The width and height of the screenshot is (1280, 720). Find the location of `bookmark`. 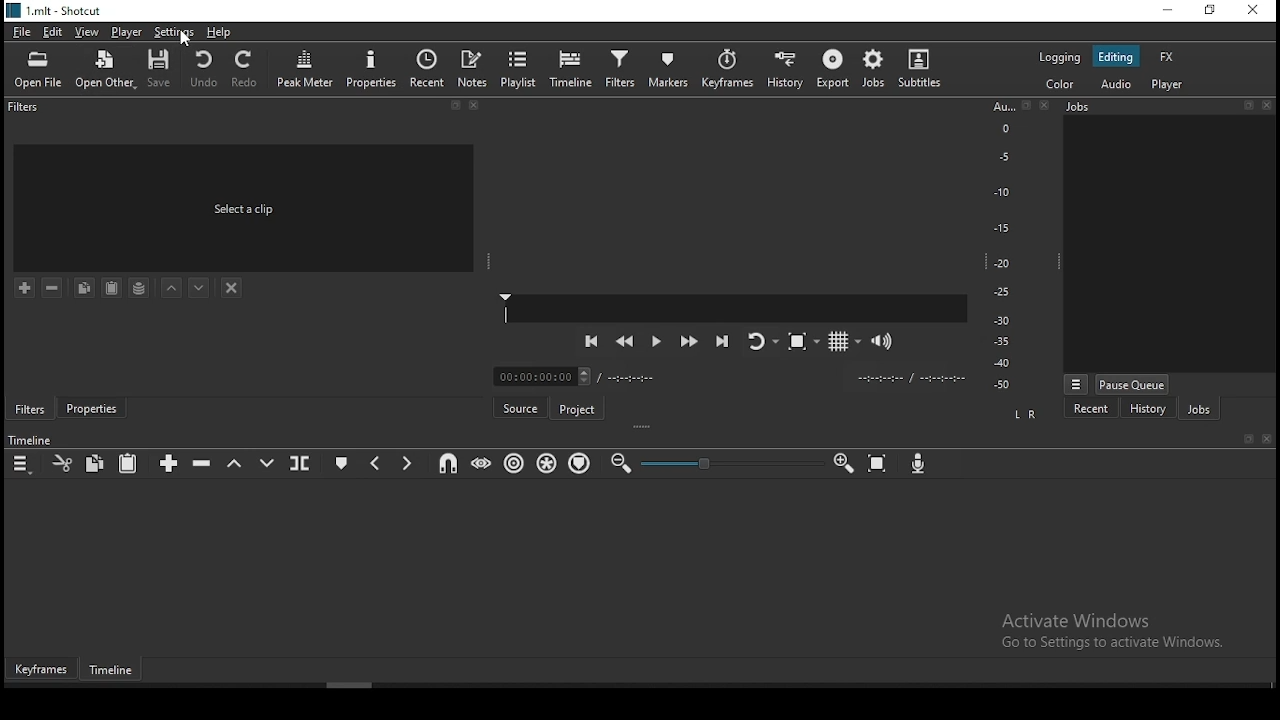

bookmark is located at coordinates (455, 107).